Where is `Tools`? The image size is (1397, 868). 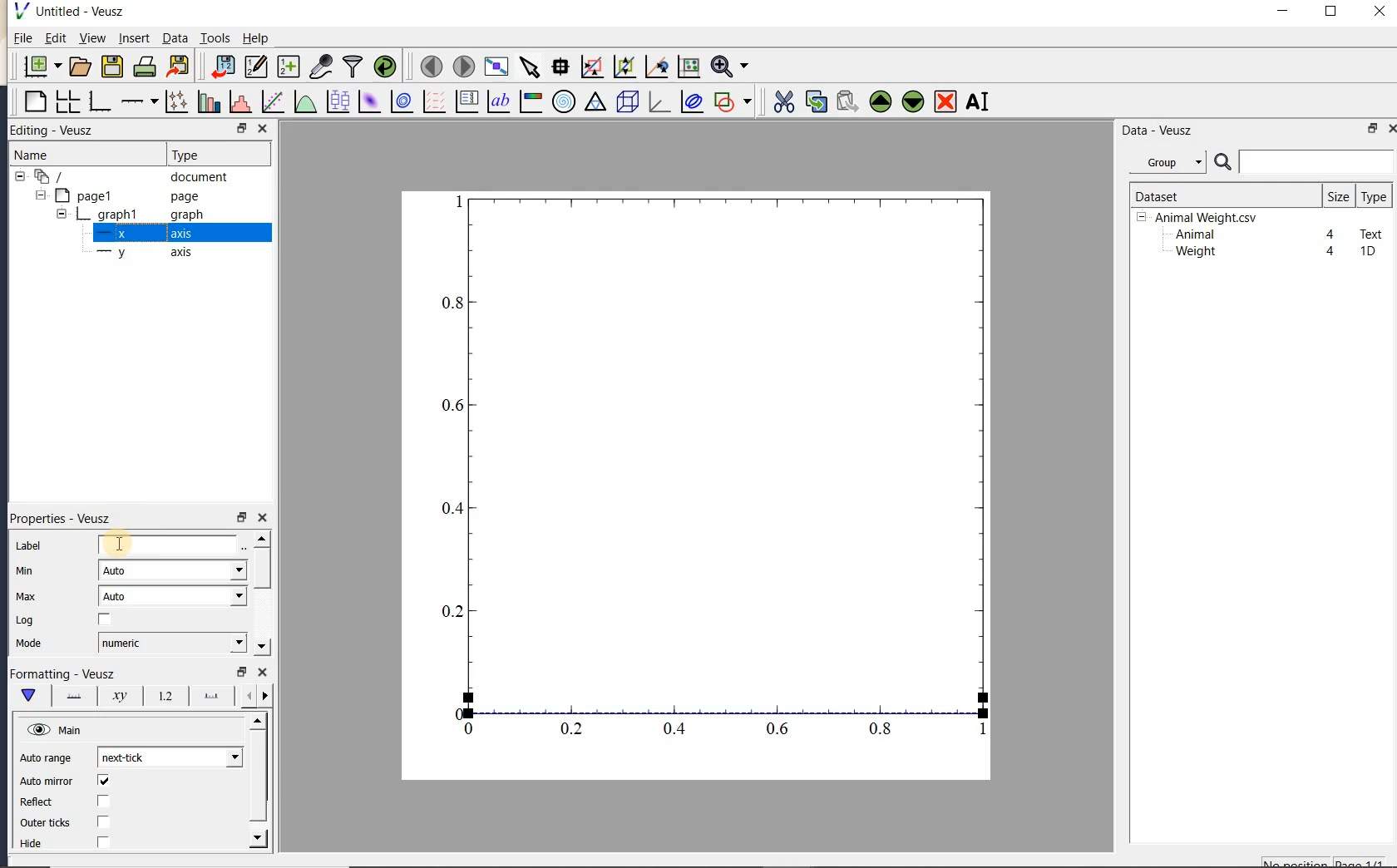
Tools is located at coordinates (216, 37).